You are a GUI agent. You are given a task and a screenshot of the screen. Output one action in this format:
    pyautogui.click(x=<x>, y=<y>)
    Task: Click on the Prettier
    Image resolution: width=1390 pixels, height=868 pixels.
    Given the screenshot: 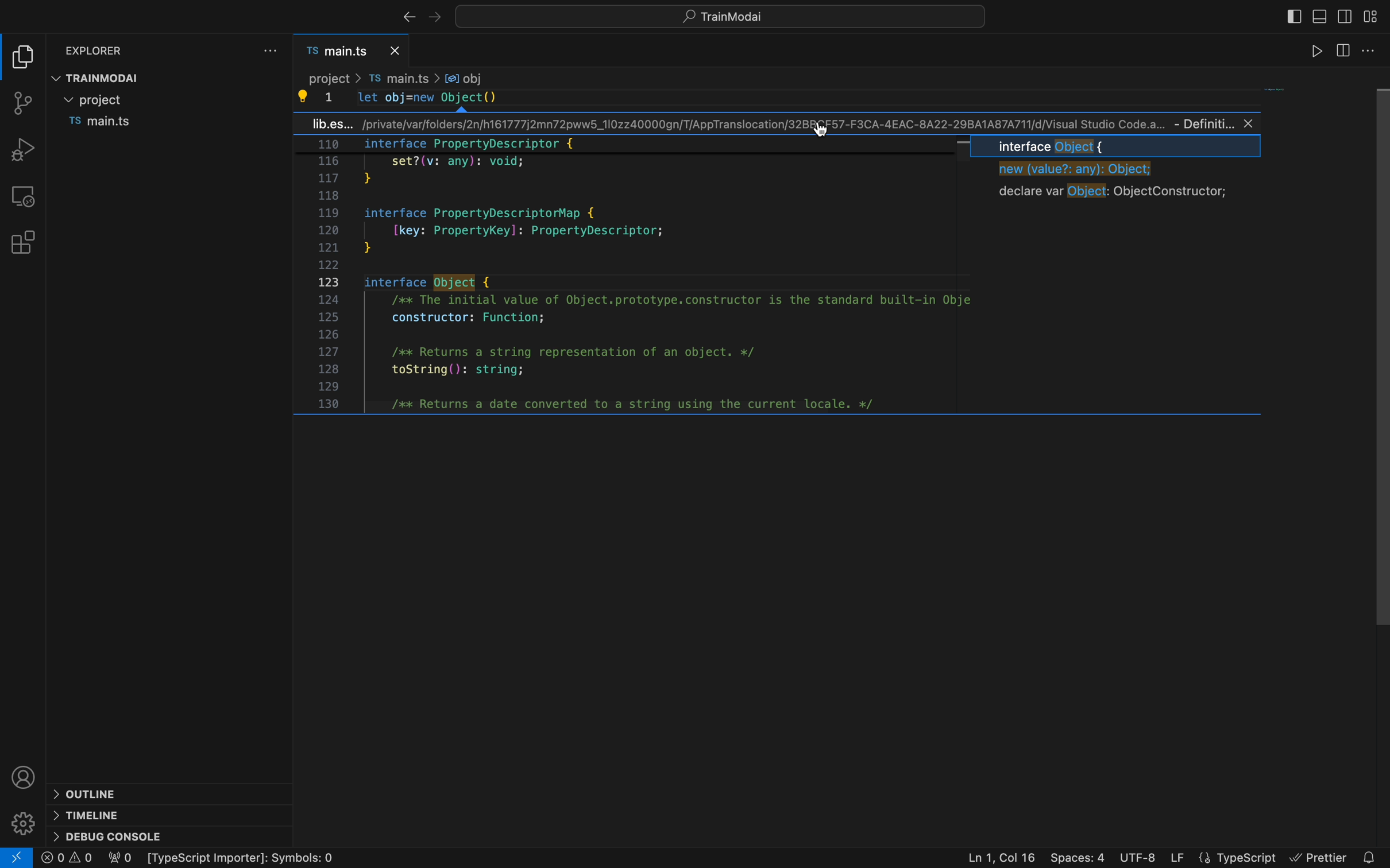 What is the action you would take?
    pyautogui.click(x=1320, y=855)
    